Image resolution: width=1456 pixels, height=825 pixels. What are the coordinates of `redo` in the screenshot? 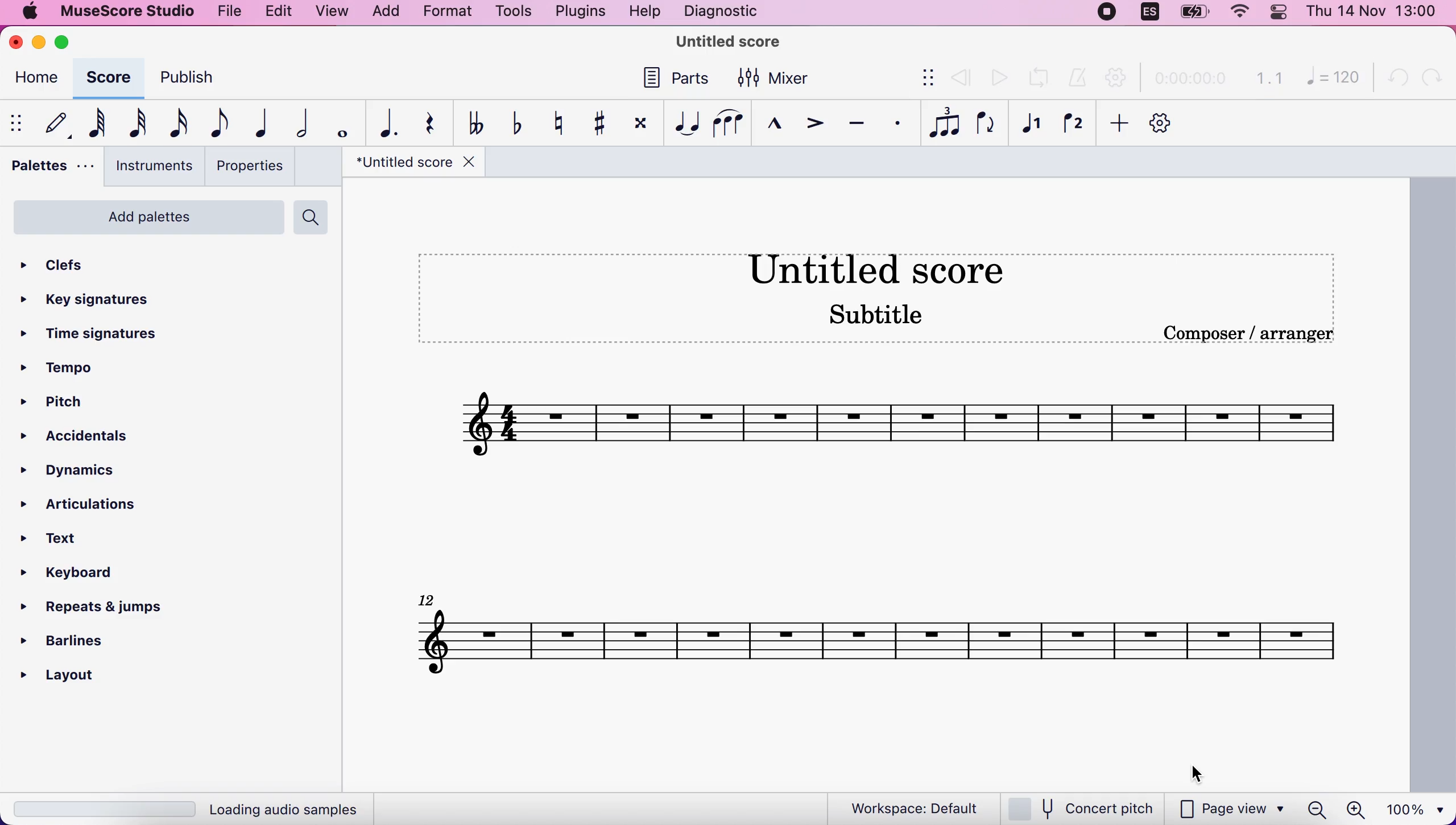 It's located at (1432, 77).